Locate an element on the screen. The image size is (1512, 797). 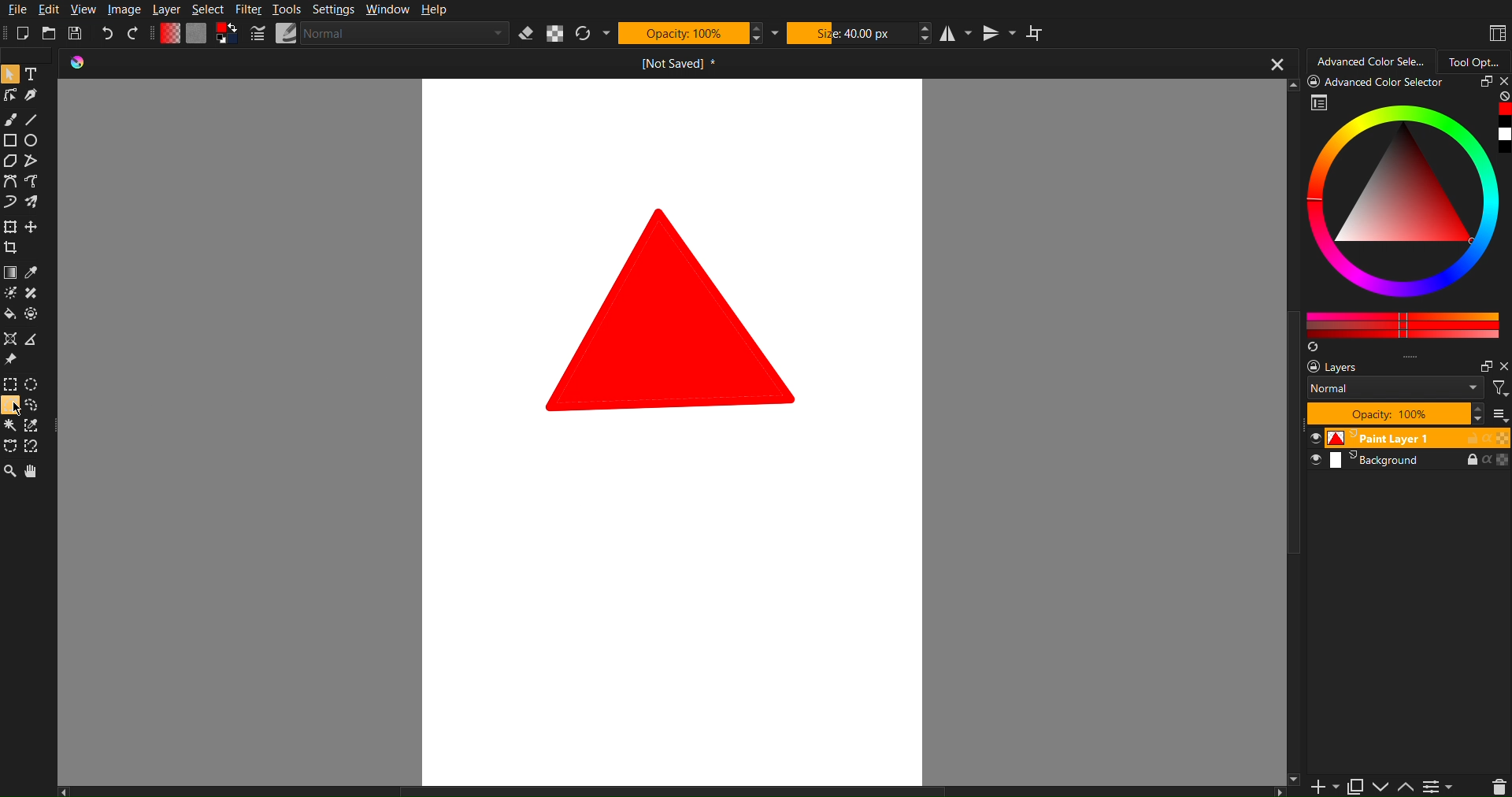
Size is located at coordinates (850, 35).